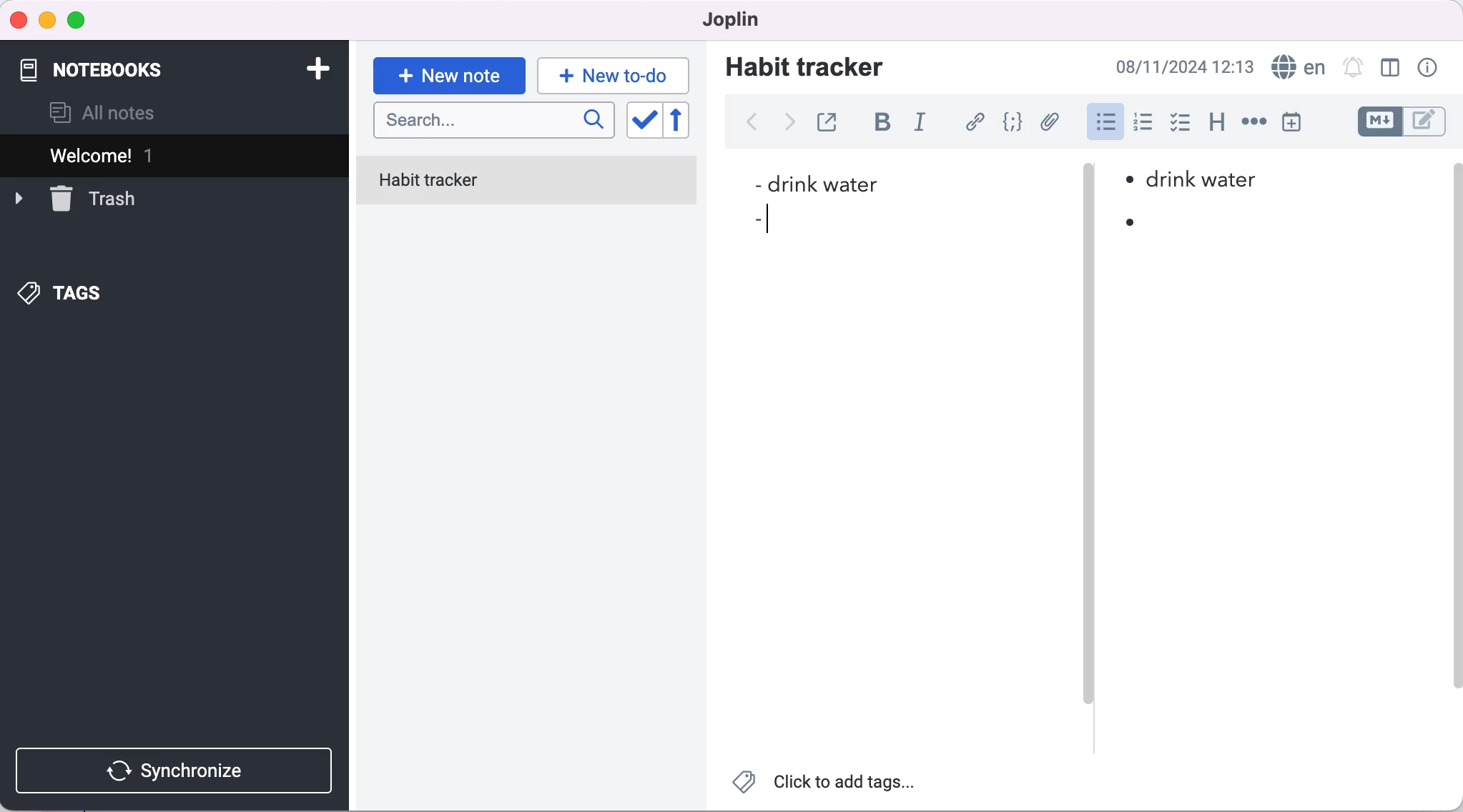  I want to click on close, so click(19, 19).